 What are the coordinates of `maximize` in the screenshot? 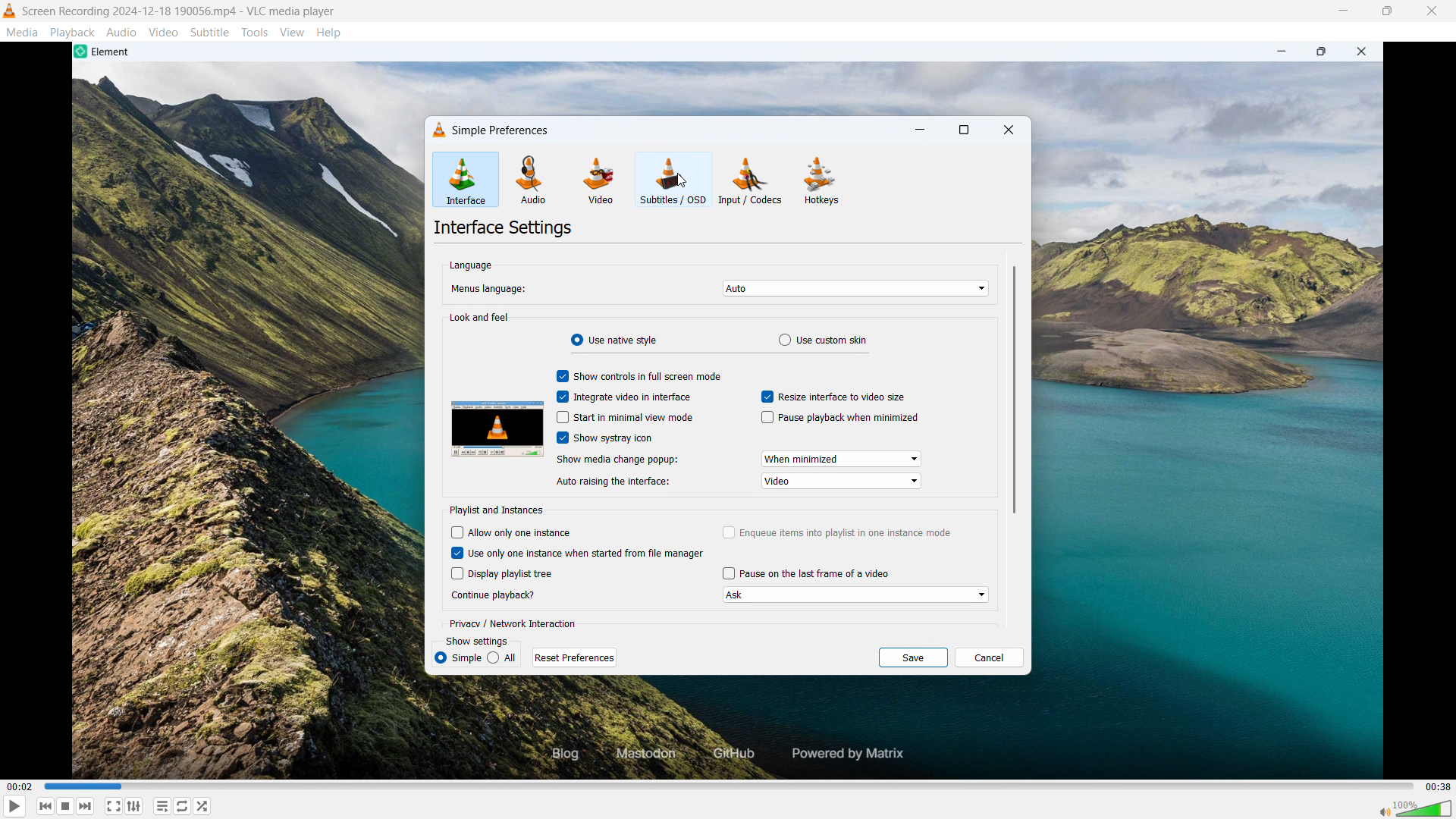 It's located at (1386, 11).